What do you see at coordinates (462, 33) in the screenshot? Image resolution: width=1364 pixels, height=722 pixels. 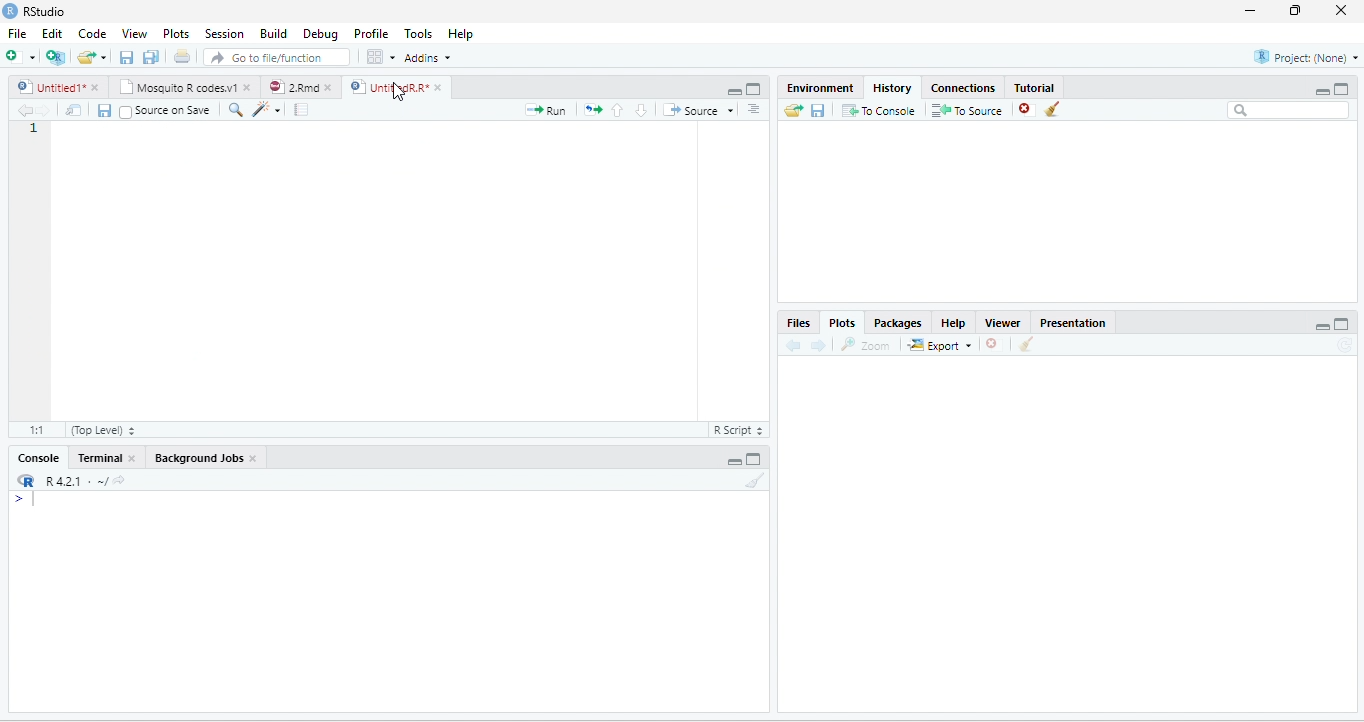 I see `Help` at bounding box center [462, 33].